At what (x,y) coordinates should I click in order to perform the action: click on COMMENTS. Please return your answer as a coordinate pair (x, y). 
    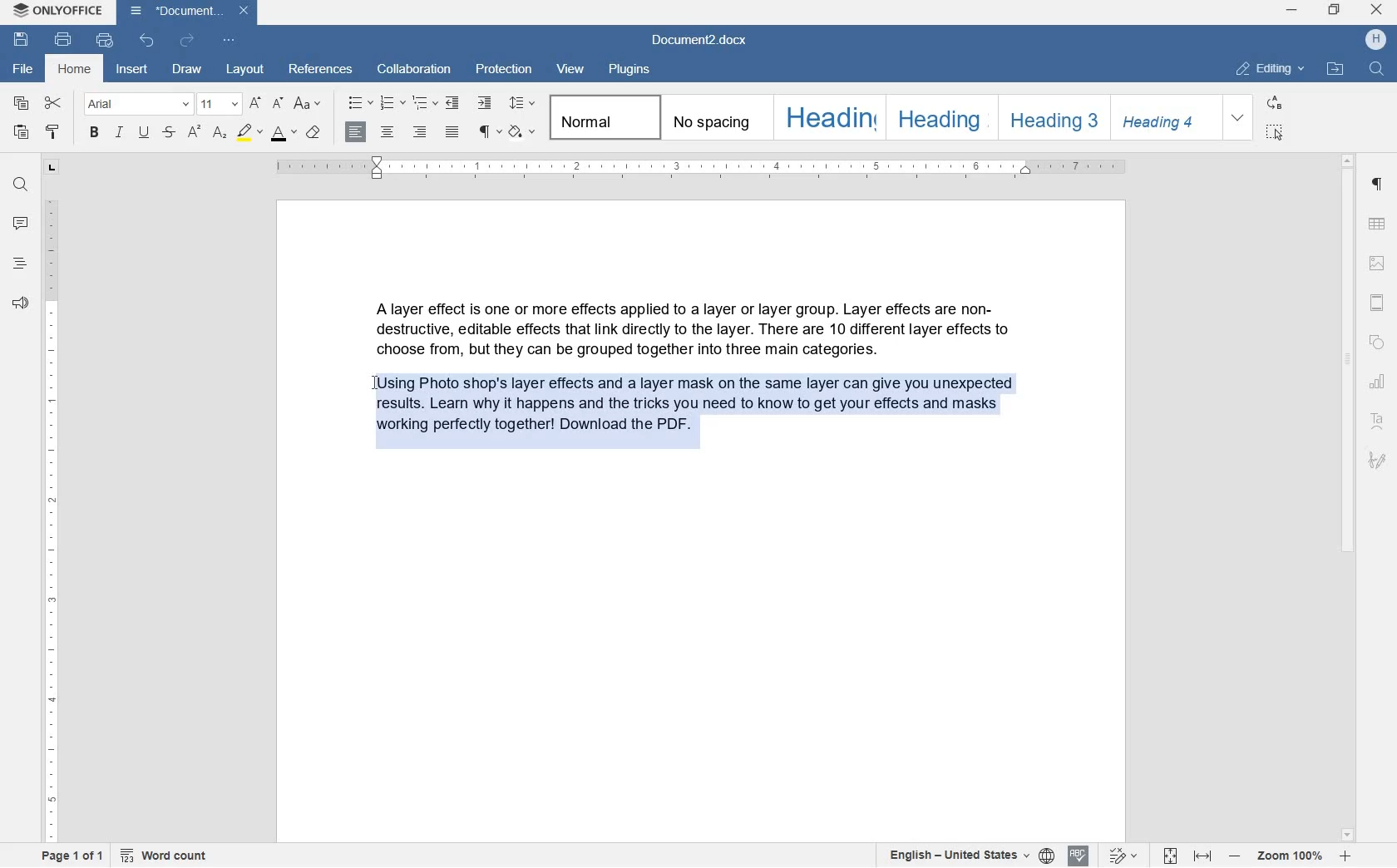
    Looking at the image, I should click on (19, 223).